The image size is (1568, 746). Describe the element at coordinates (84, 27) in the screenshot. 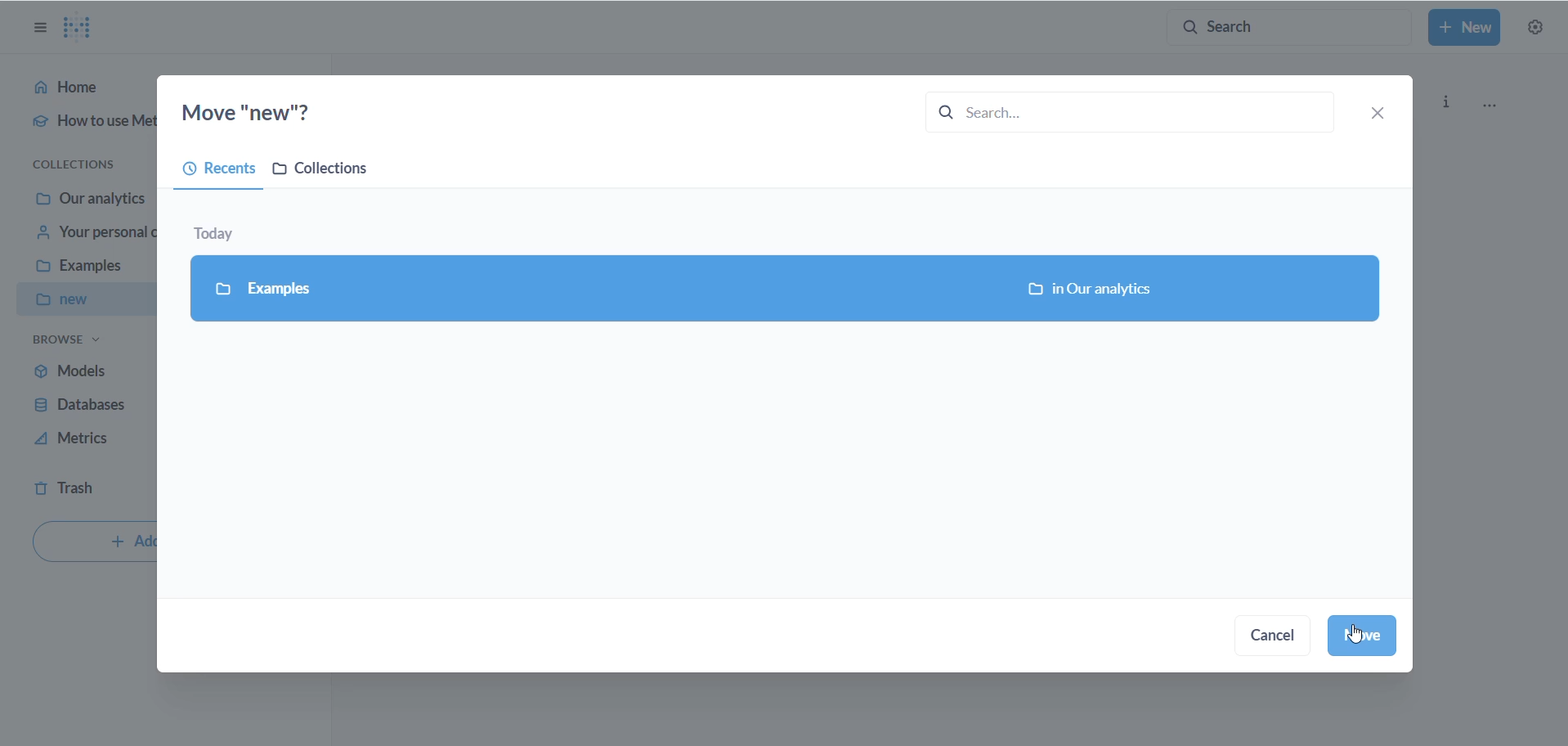

I see `LOGO` at that location.